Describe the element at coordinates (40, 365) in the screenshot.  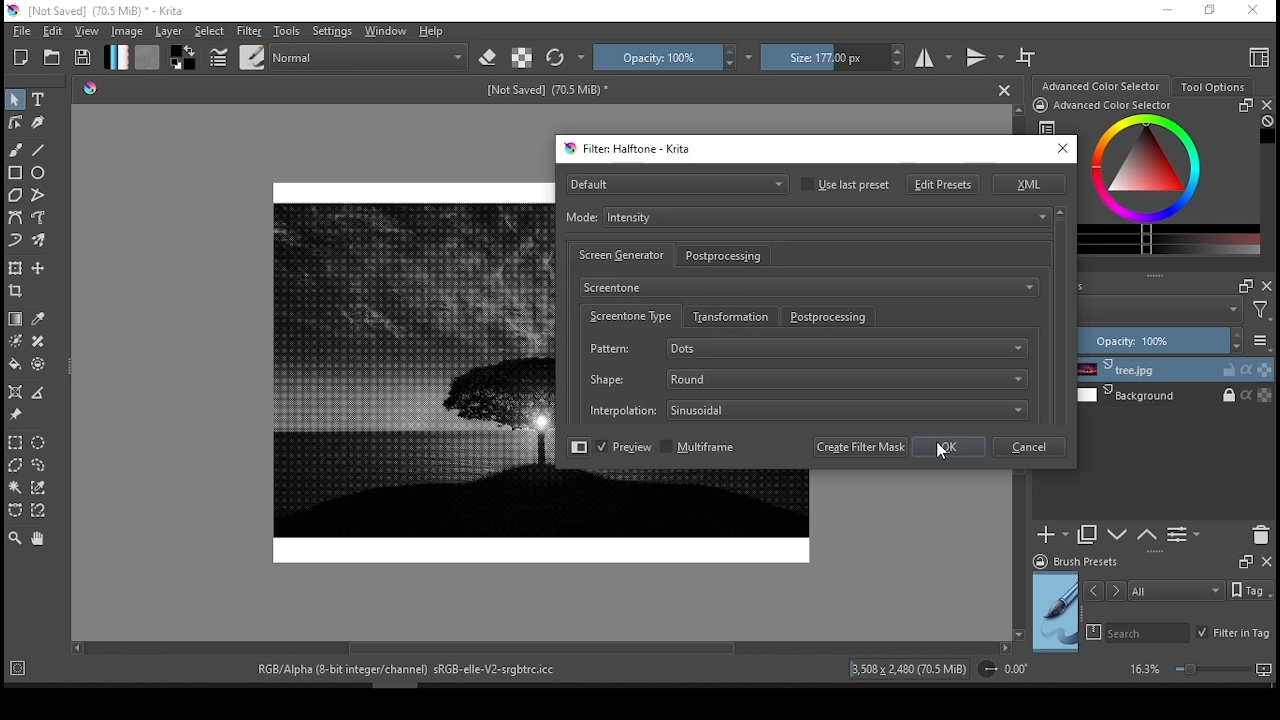
I see `enclose and fill tool` at that location.